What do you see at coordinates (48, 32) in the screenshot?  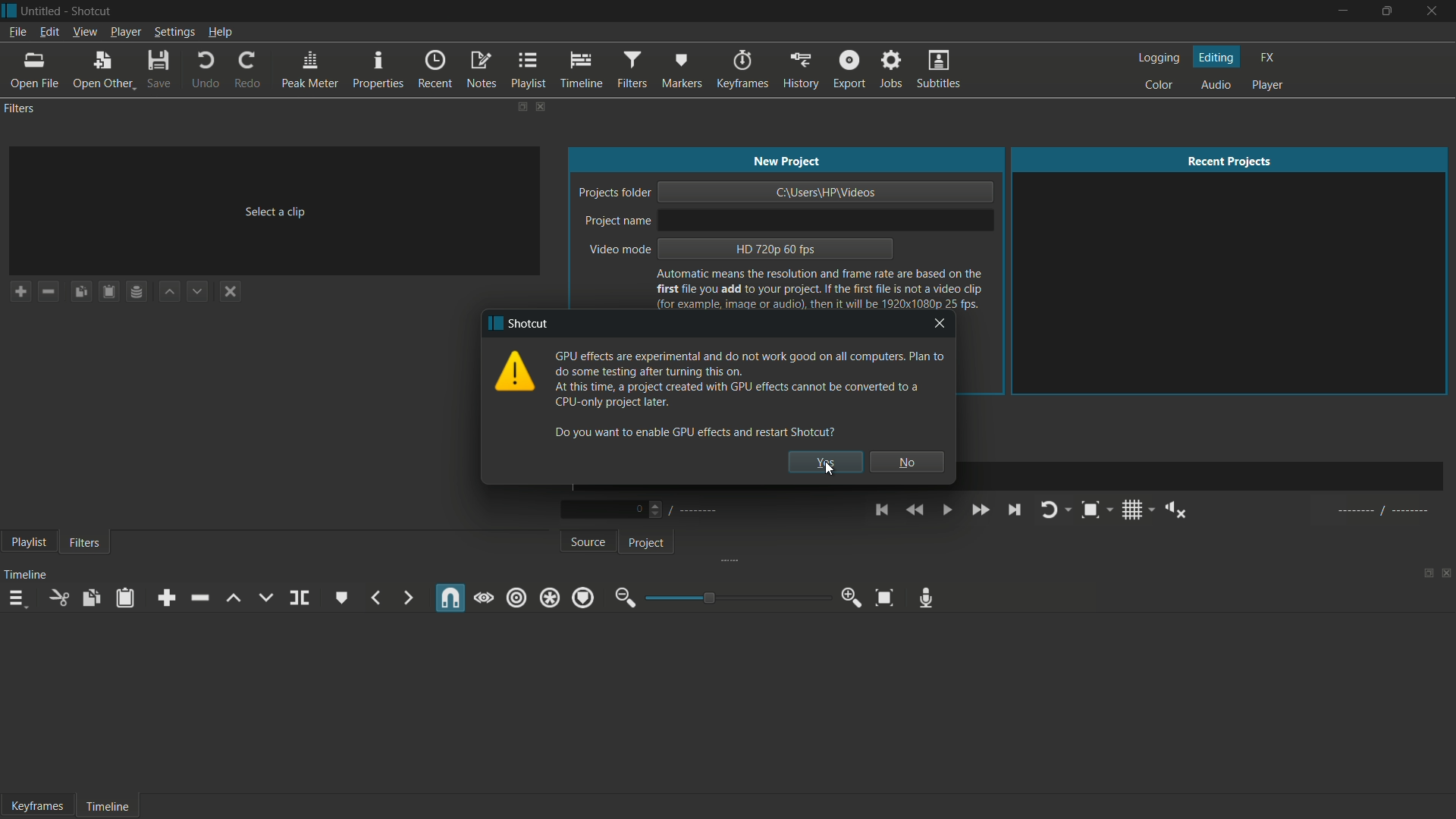 I see `edit menu` at bounding box center [48, 32].